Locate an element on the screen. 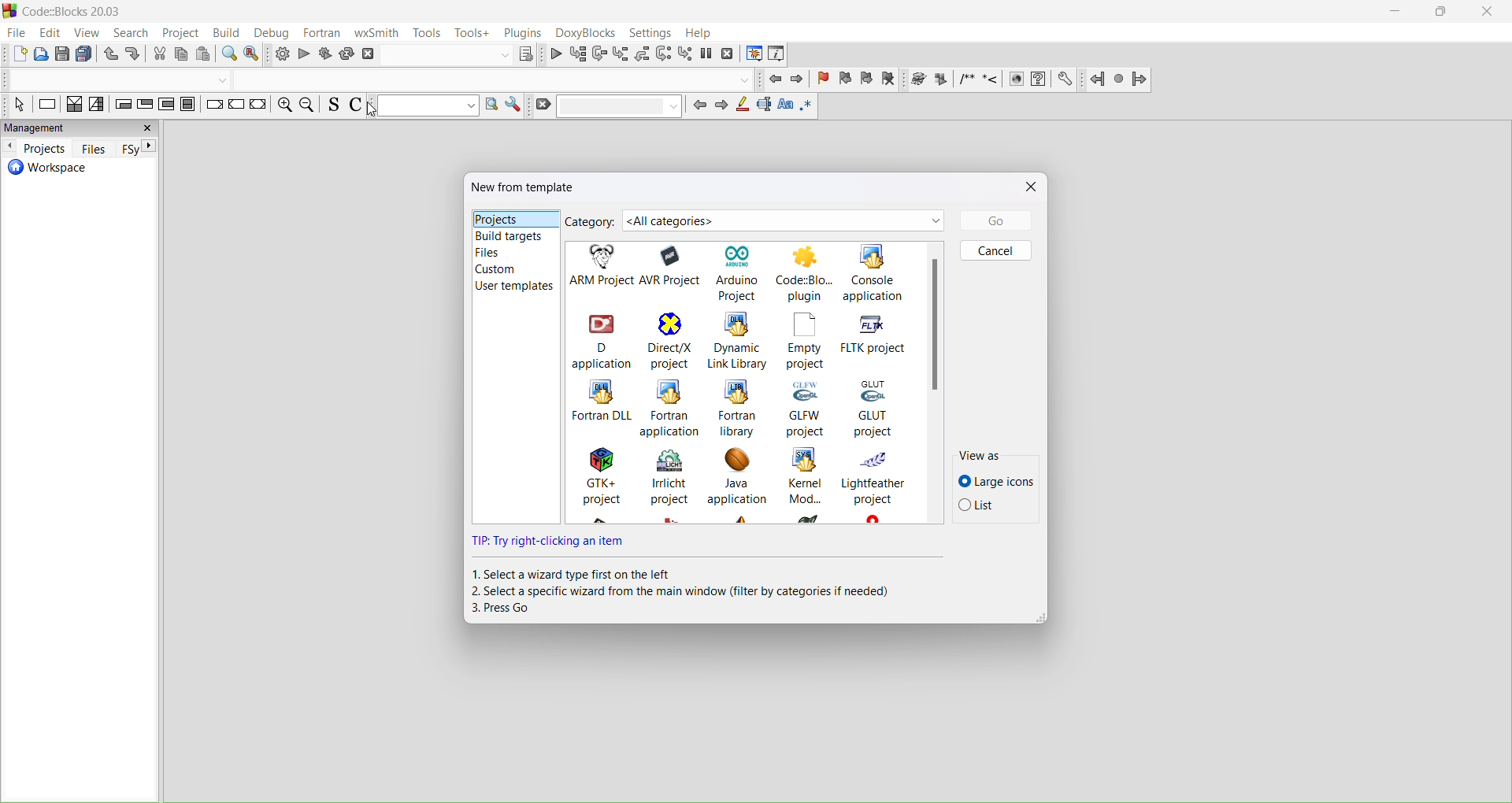  build is located at coordinates (280, 54).